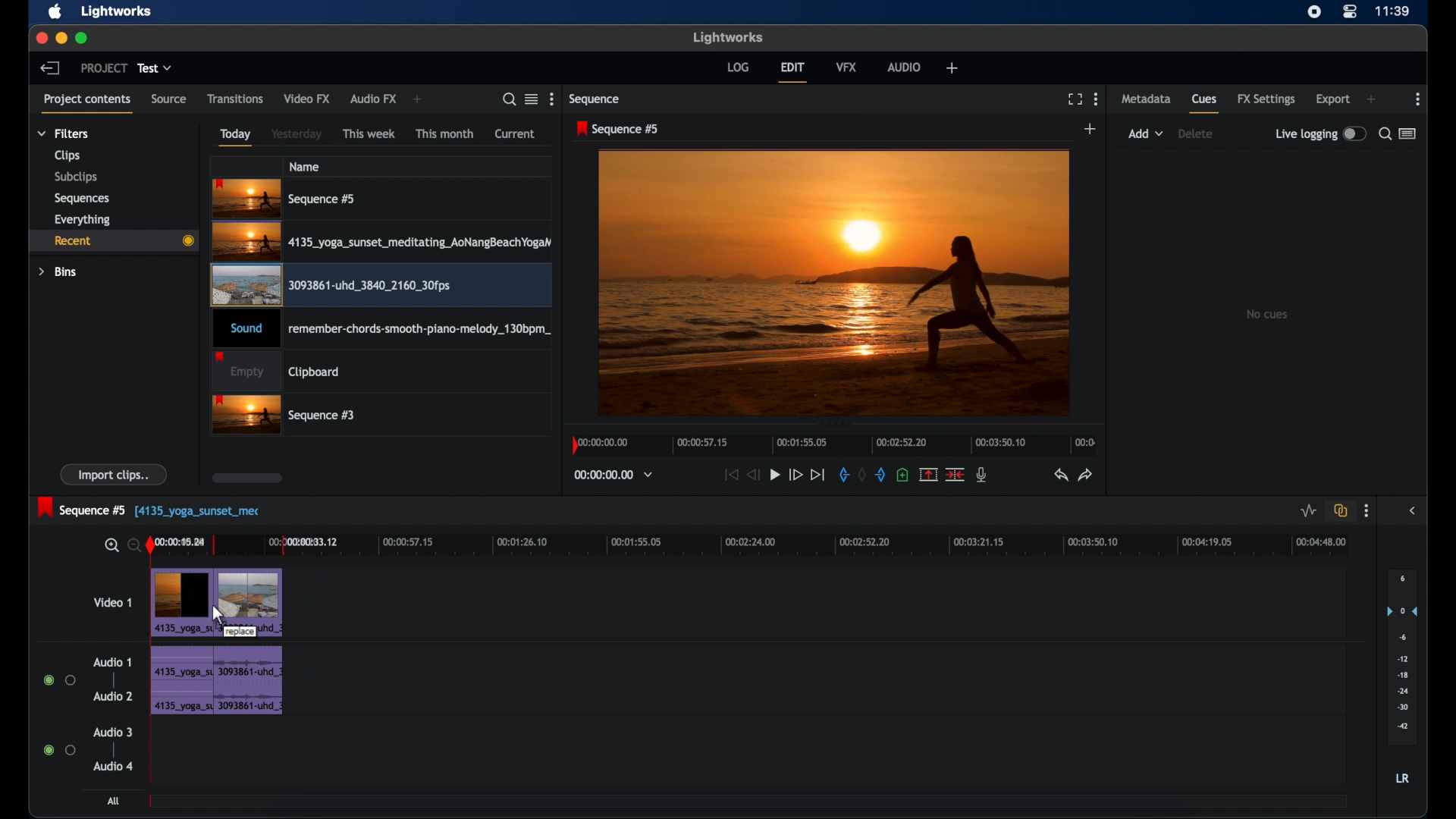 The width and height of the screenshot is (1456, 819). I want to click on audio fx, so click(372, 99).